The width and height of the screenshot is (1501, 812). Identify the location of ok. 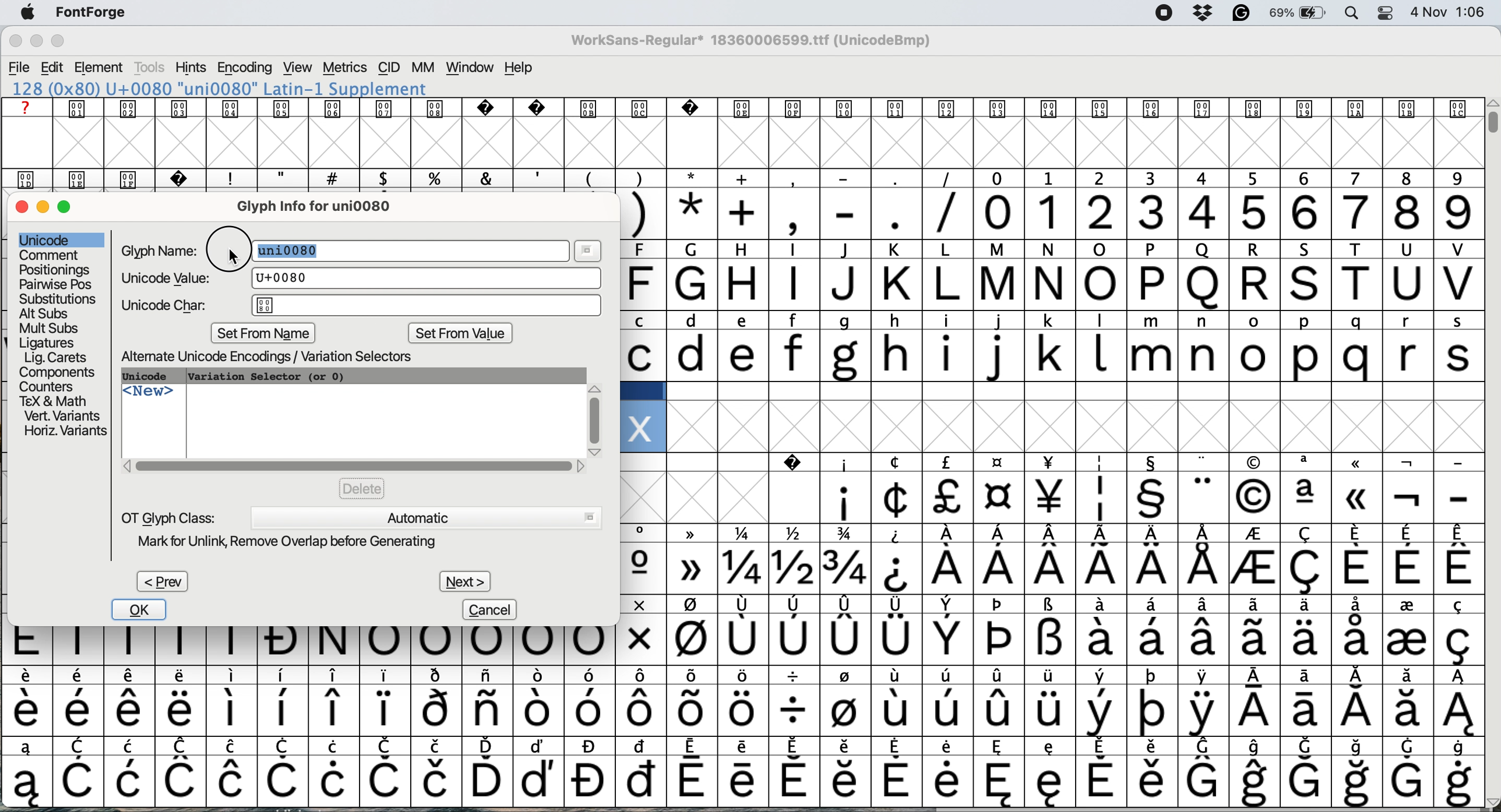
(141, 610).